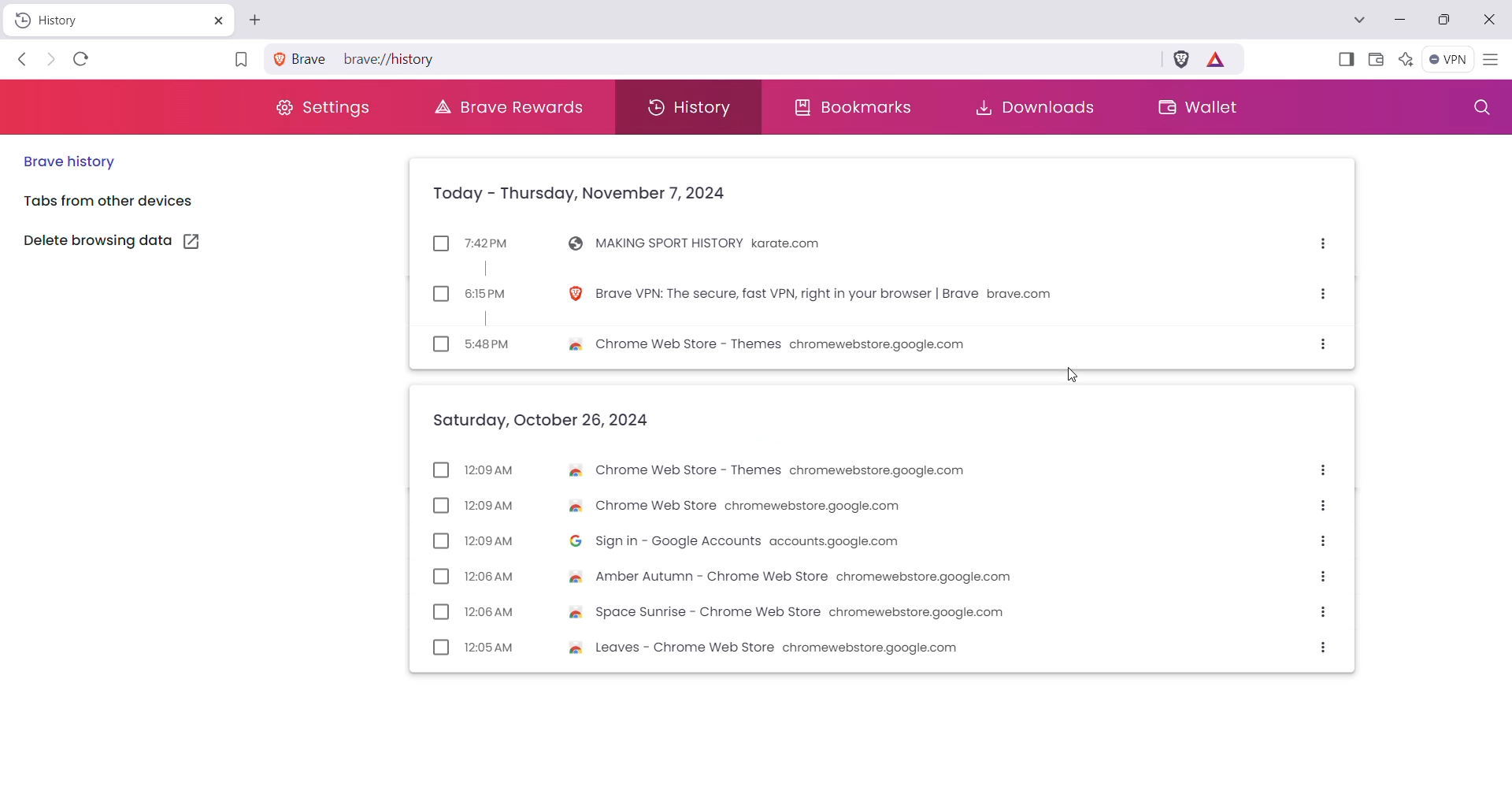 The image size is (1512, 802). I want to click on Downloads, so click(1032, 110).